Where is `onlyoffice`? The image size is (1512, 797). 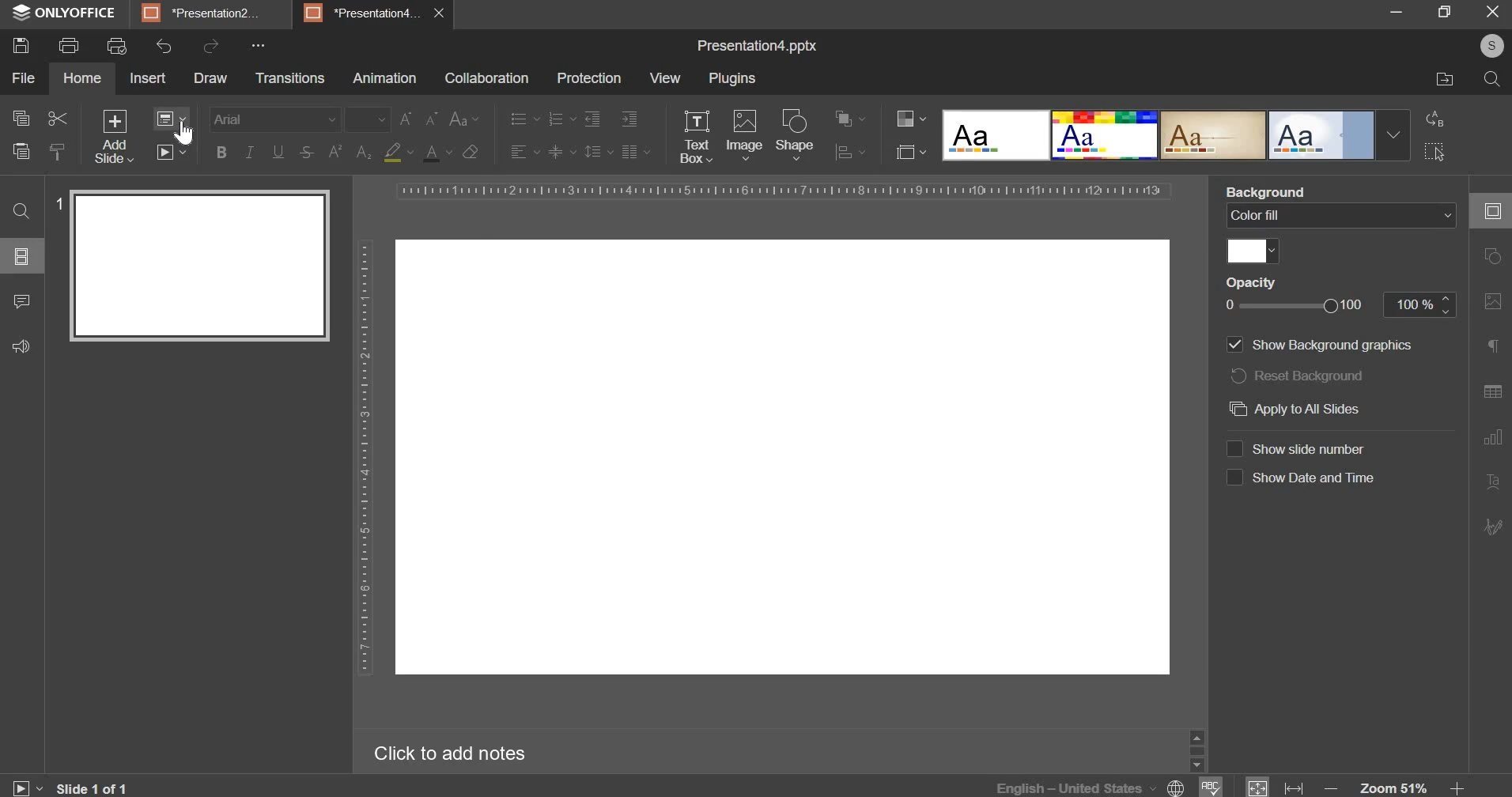
onlyoffice is located at coordinates (65, 13).